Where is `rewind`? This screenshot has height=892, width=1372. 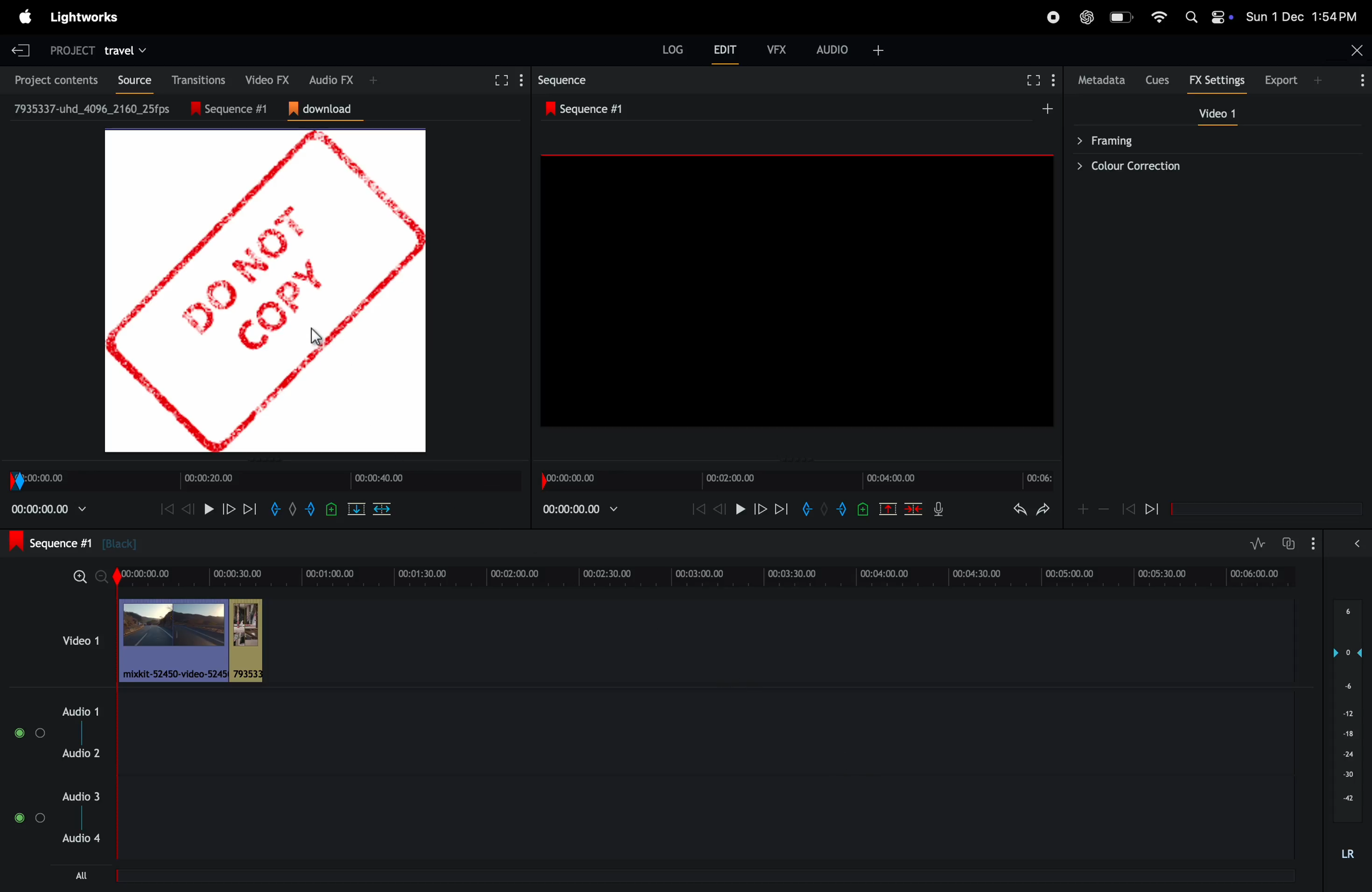 rewind is located at coordinates (1152, 508).